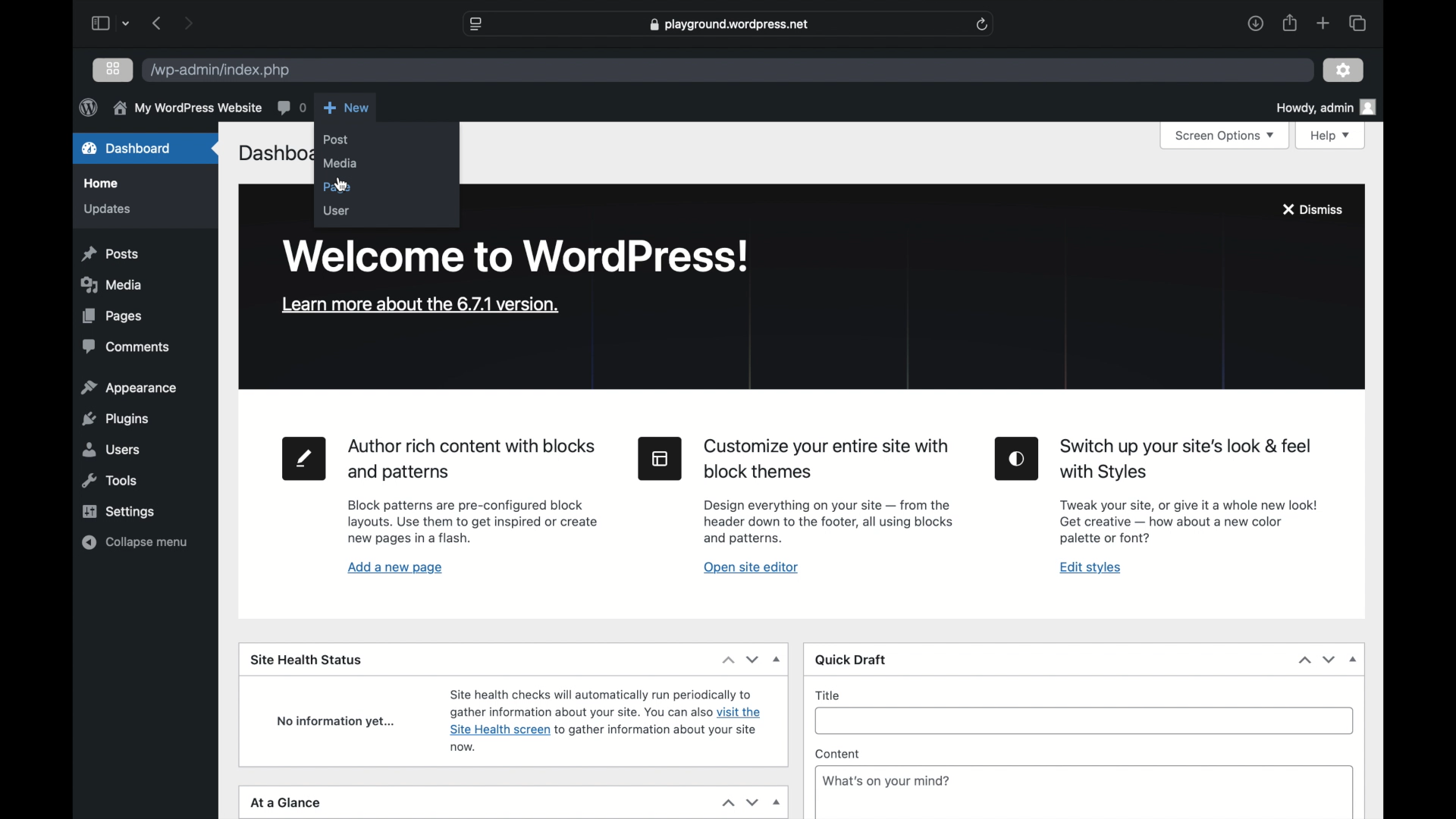 This screenshot has height=819, width=1456. I want to click on web address, so click(729, 24).